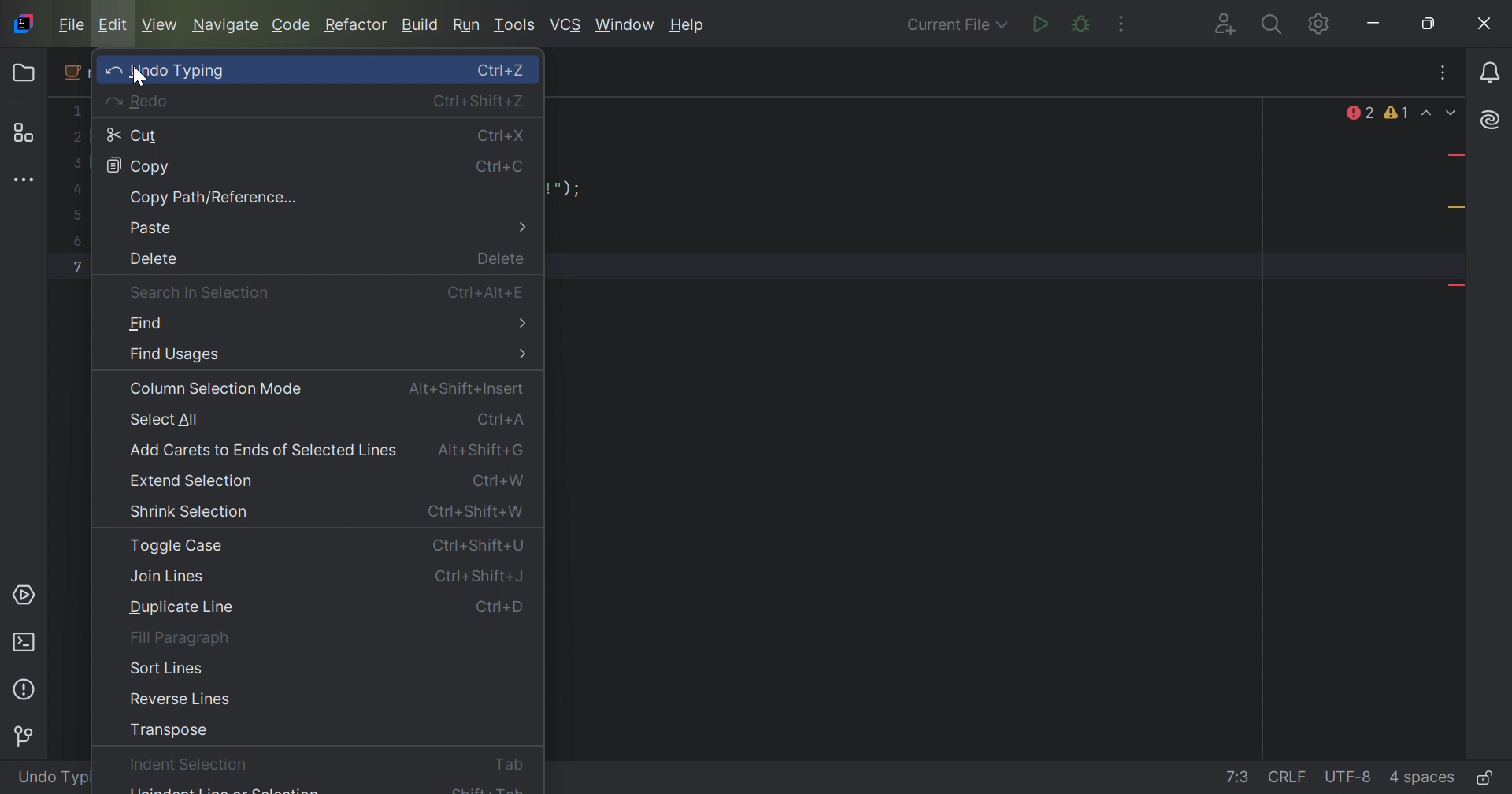  Describe the element at coordinates (355, 27) in the screenshot. I see `Refactor` at that location.